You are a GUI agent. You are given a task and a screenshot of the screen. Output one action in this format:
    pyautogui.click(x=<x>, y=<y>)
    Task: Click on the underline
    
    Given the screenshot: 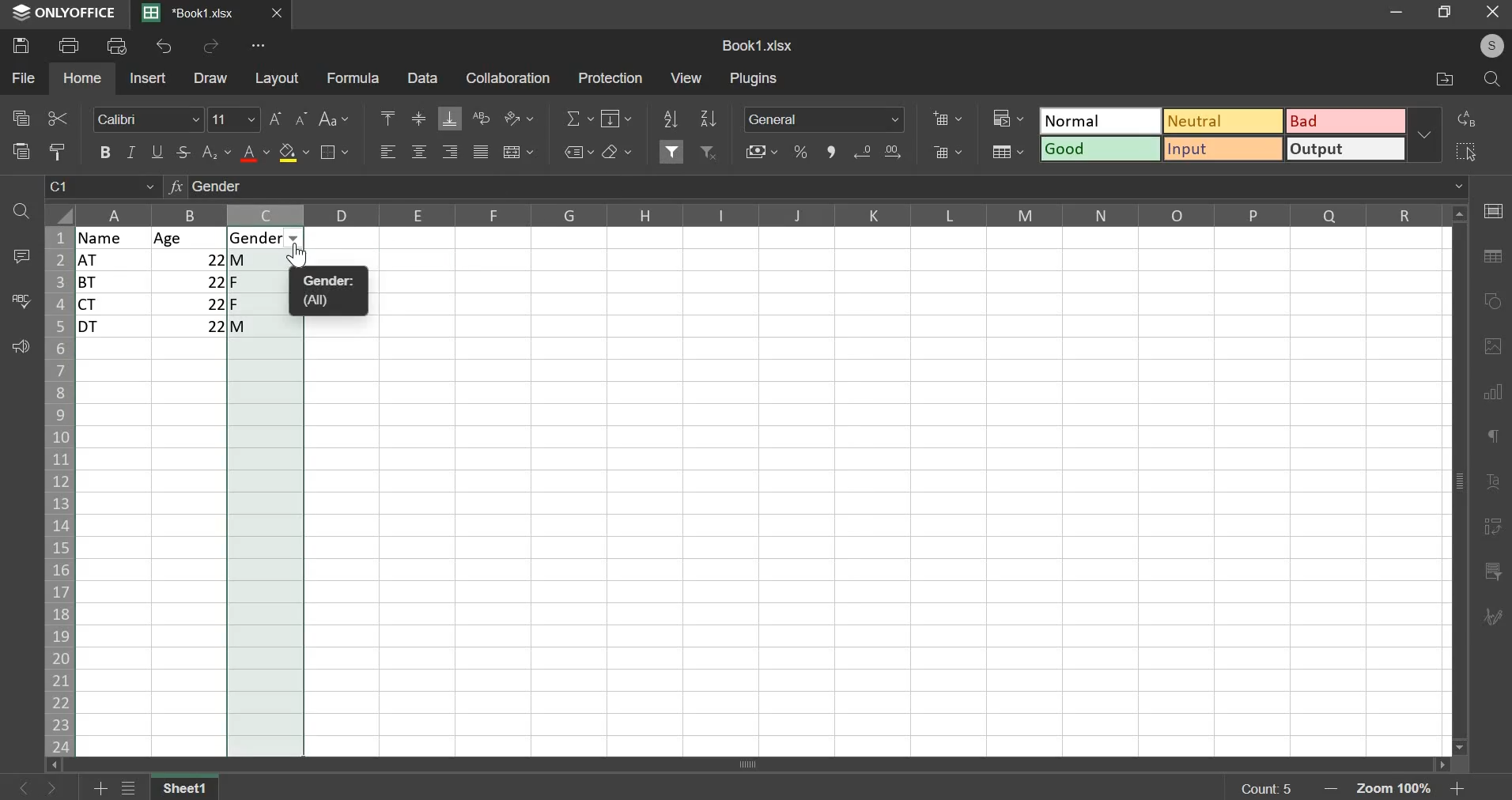 What is the action you would take?
    pyautogui.click(x=159, y=151)
    